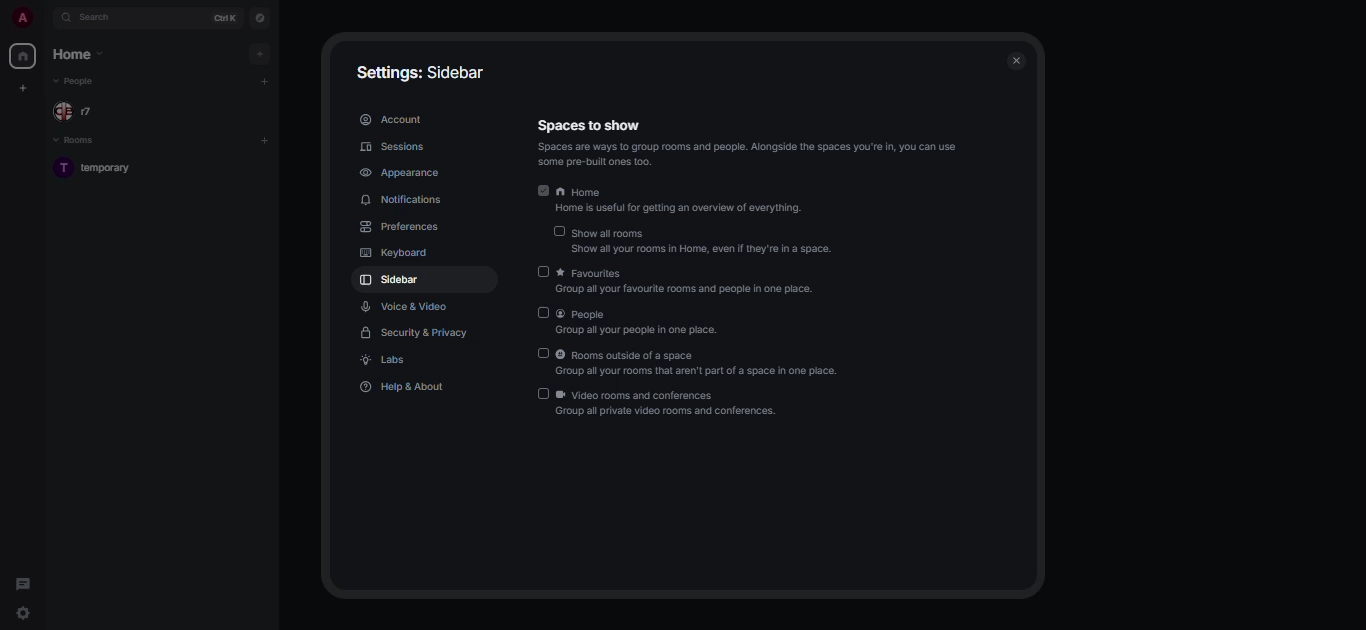 Image resolution: width=1366 pixels, height=630 pixels. Describe the element at coordinates (22, 583) in the screenshot. I see `threads` at that location.